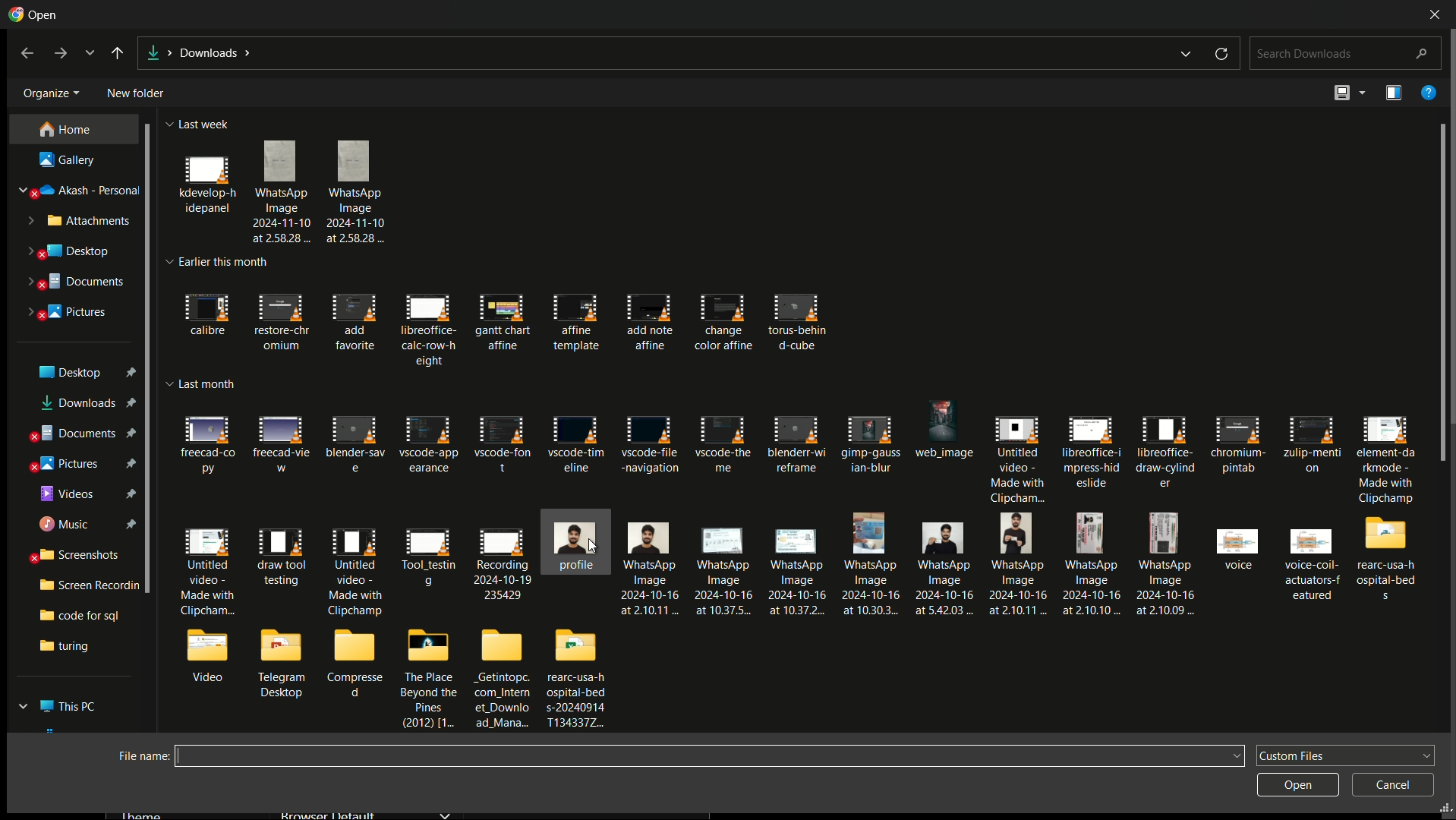 The width and height of the screenshot is (1456, 820). What do you see at coordinates (1187, 55) in the screenshot?
I see `dropdown` at bounding box center [1187, 55].